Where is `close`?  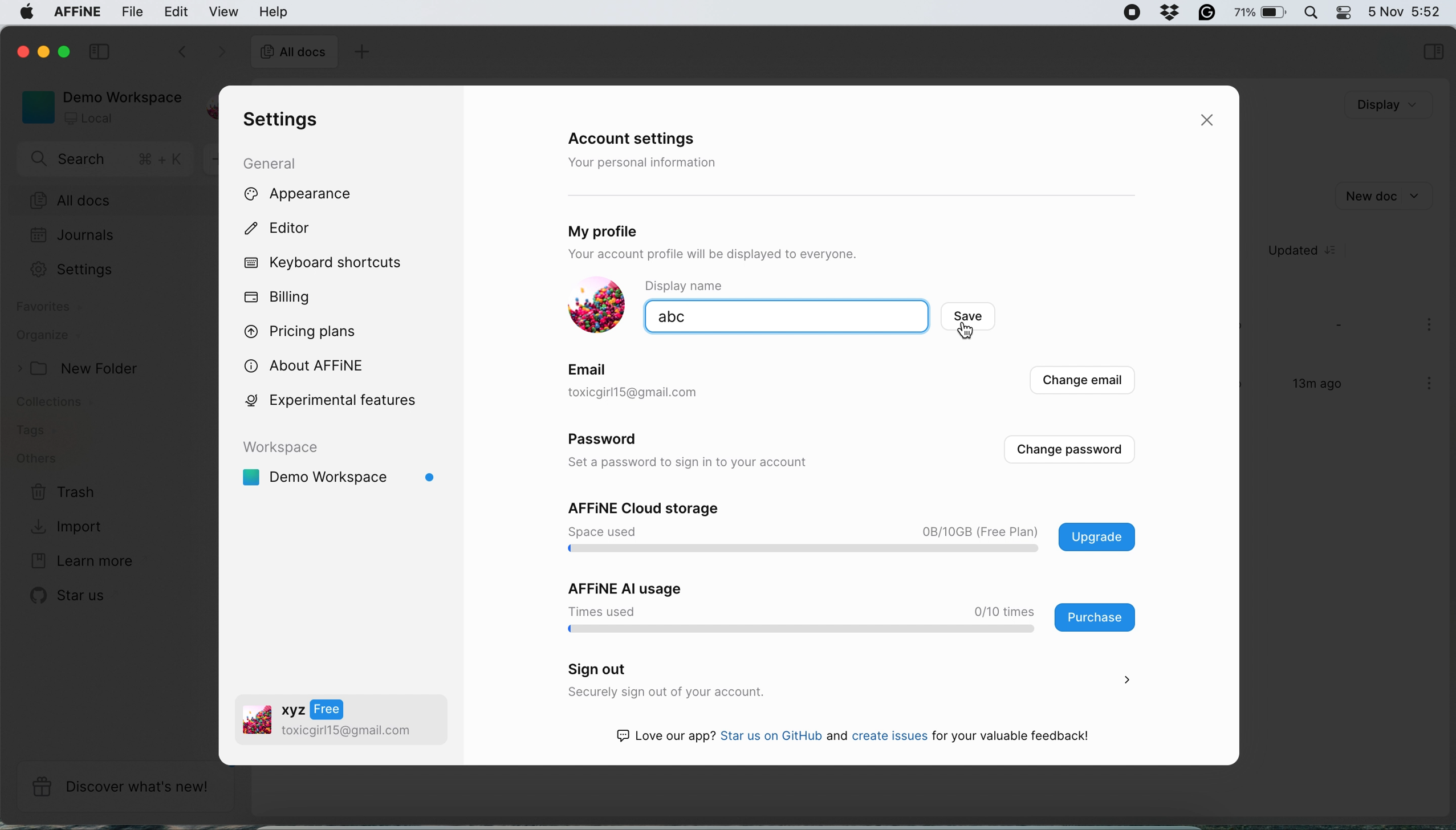
close is located at coordinates (1211, 121).